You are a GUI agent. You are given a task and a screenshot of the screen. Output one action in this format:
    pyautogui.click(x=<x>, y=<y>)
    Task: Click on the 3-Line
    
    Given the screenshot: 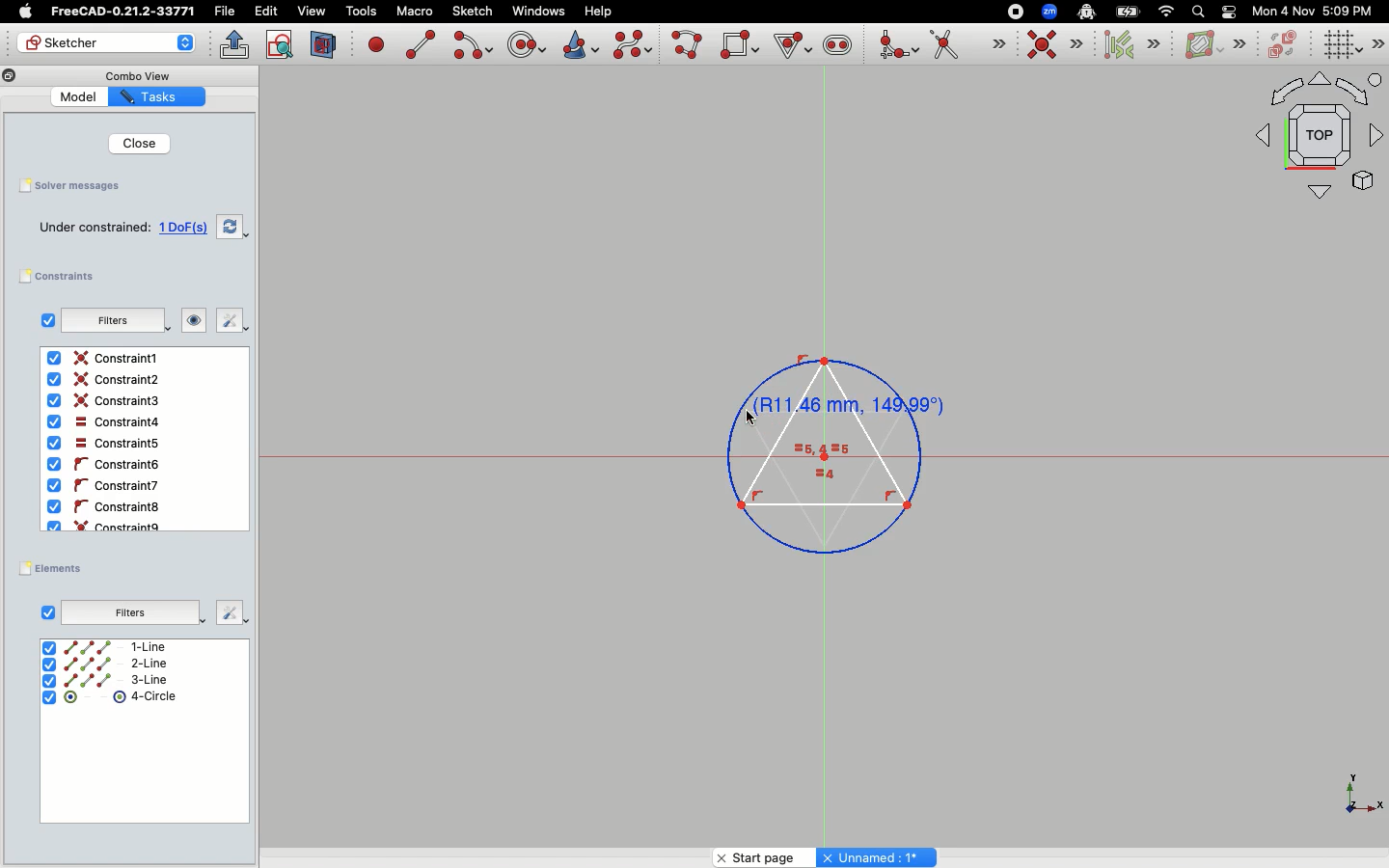 What is the action you would take?
    pyautogui.click(x=118, y=680)
    